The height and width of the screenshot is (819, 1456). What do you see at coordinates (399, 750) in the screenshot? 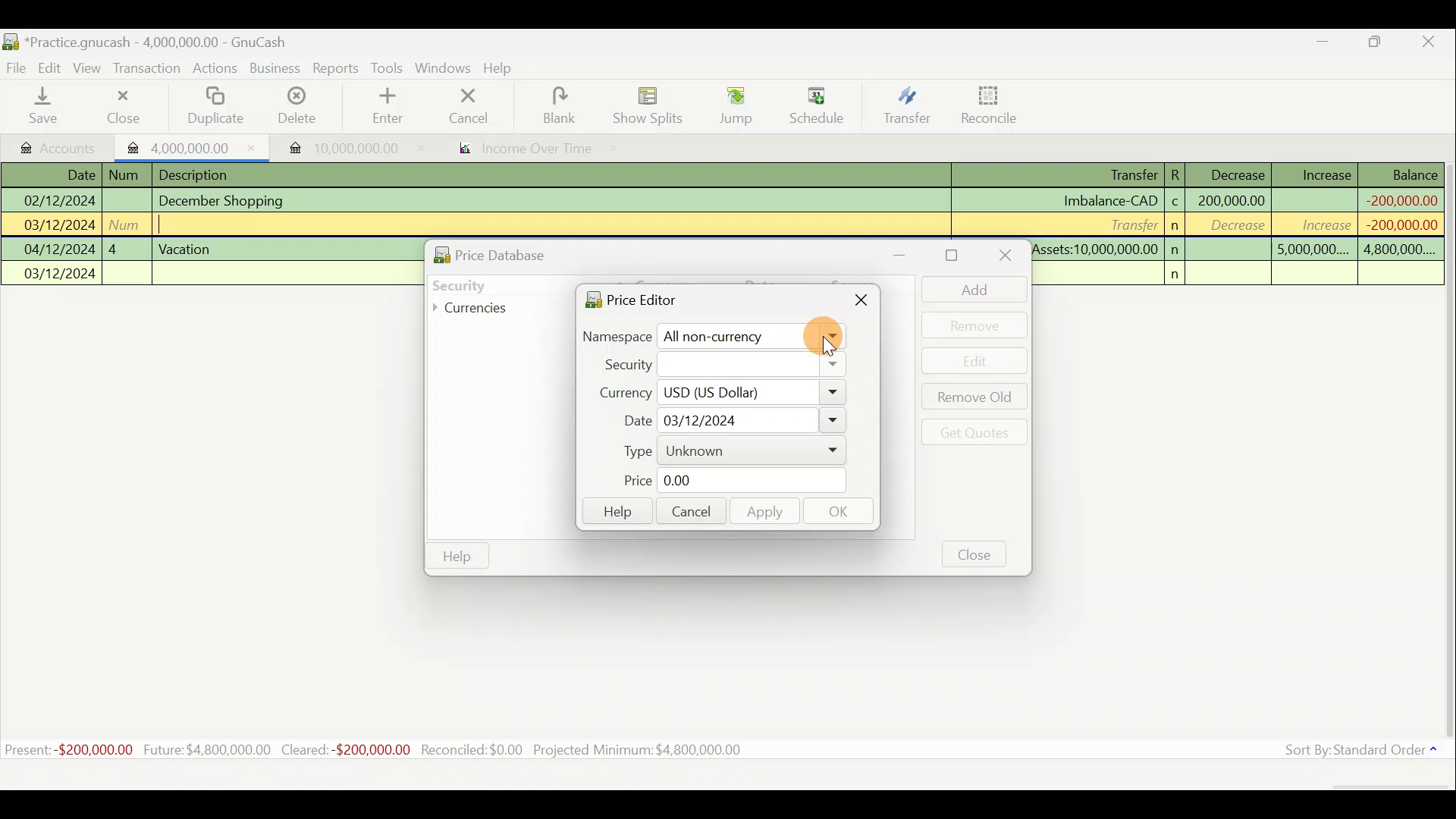
I see `Statistics` at bounding box center [399, 750].